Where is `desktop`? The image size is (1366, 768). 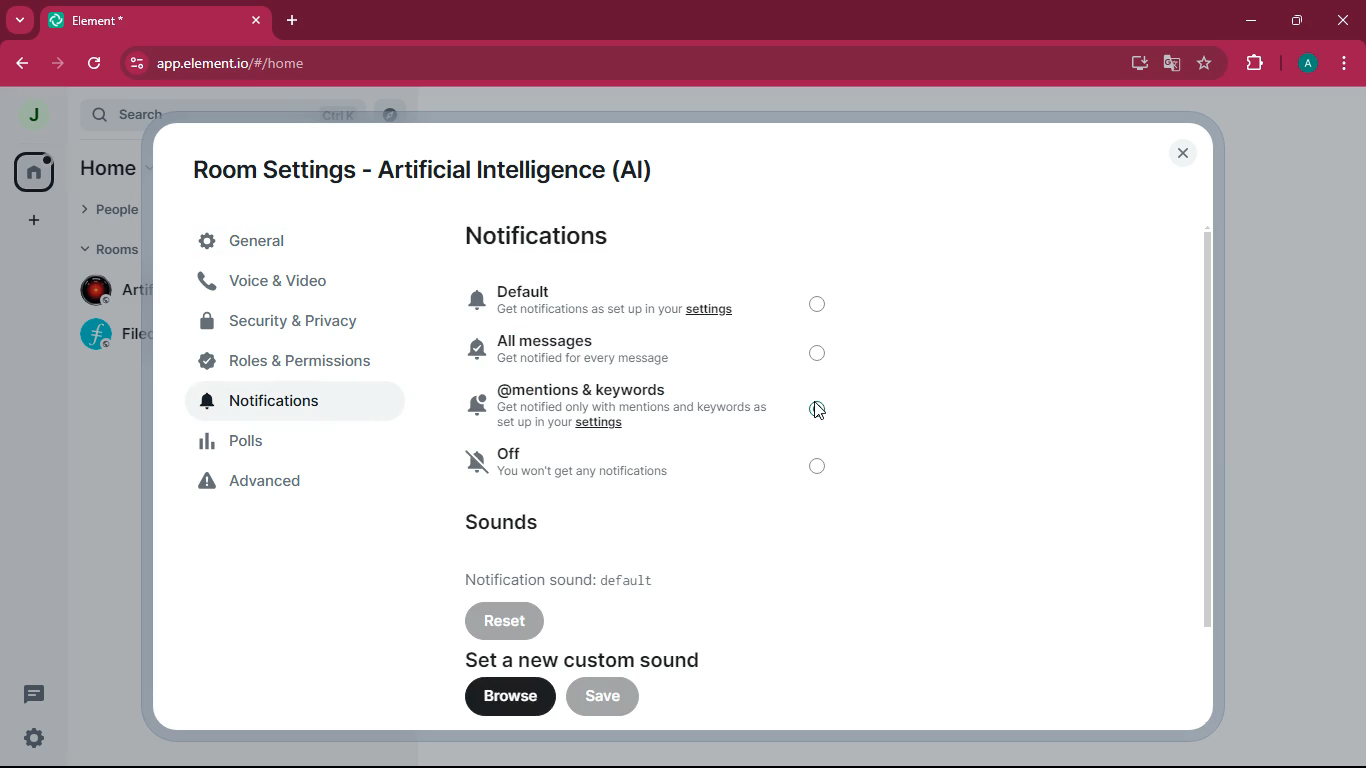
desktop is located at coordinates (1134, 63).